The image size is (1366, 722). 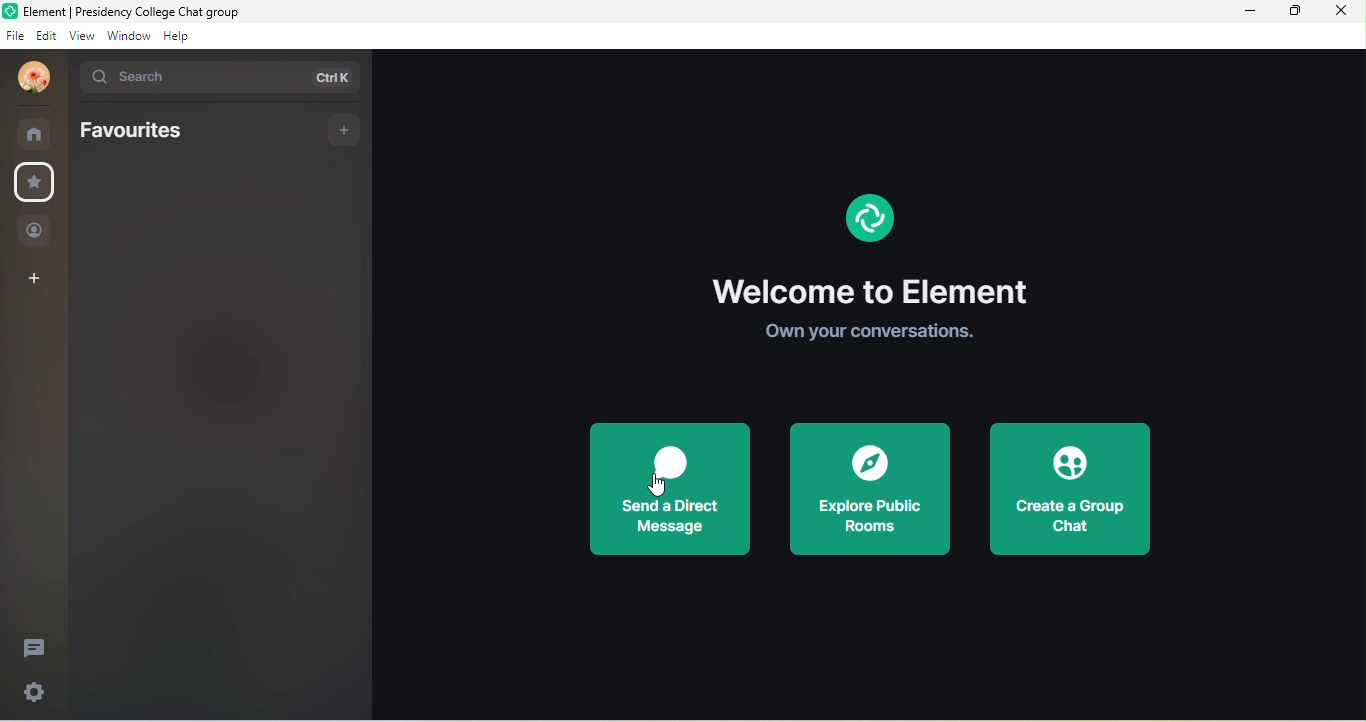 What do you see at coordinates (35, 694) in the screenshot?
I see `settings` at bounding box center [35, 694].